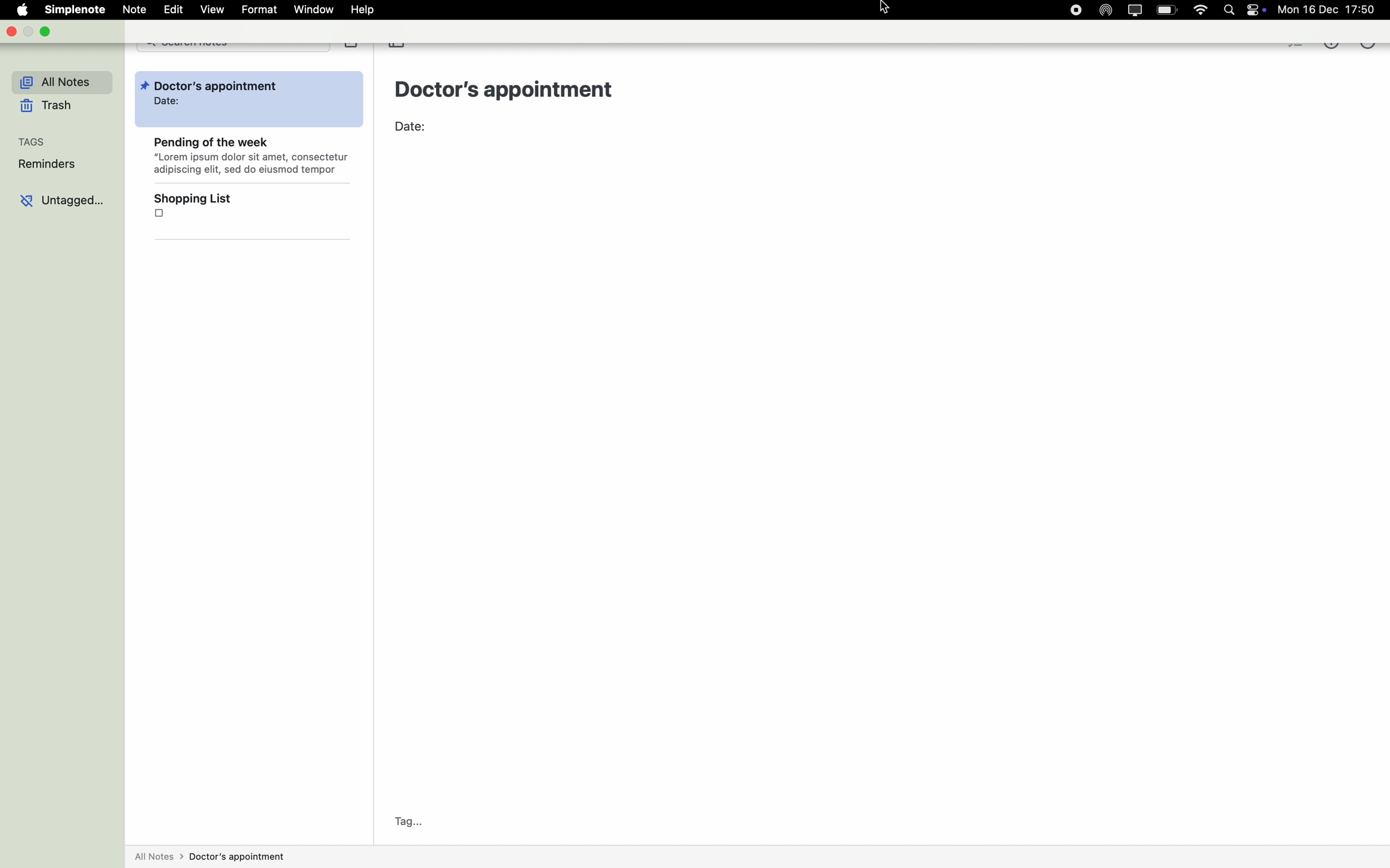 The image size is (1390, 868). Describe the element at coordinates (1199, 10) in the screenshot. I see `wifi` at that location.